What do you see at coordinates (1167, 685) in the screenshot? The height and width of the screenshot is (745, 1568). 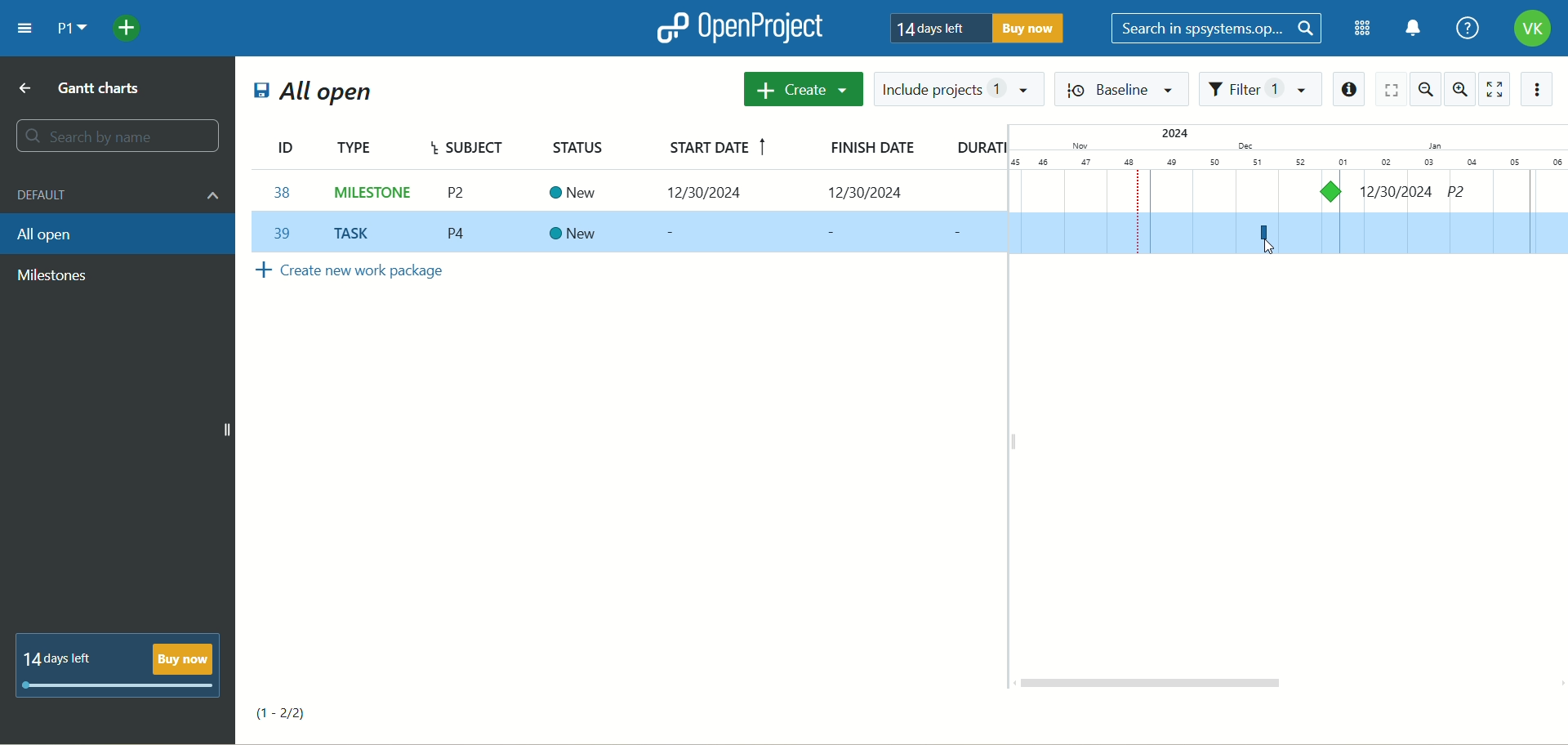 I see `horizontal scroll bar` at bounding box center [1167, 685].